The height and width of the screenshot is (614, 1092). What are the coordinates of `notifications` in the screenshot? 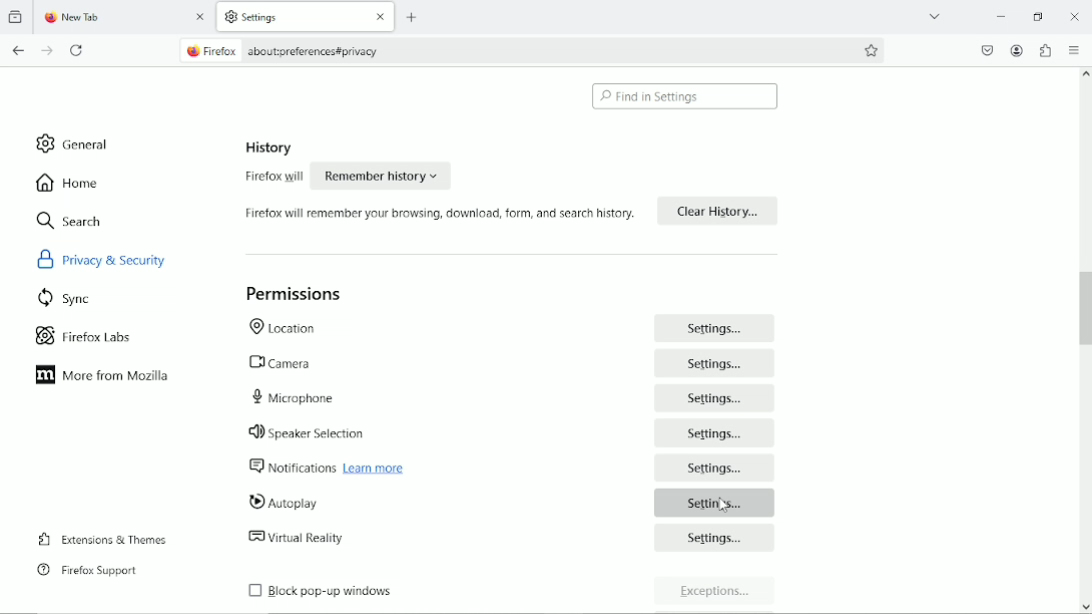 It's located at (290, 468).